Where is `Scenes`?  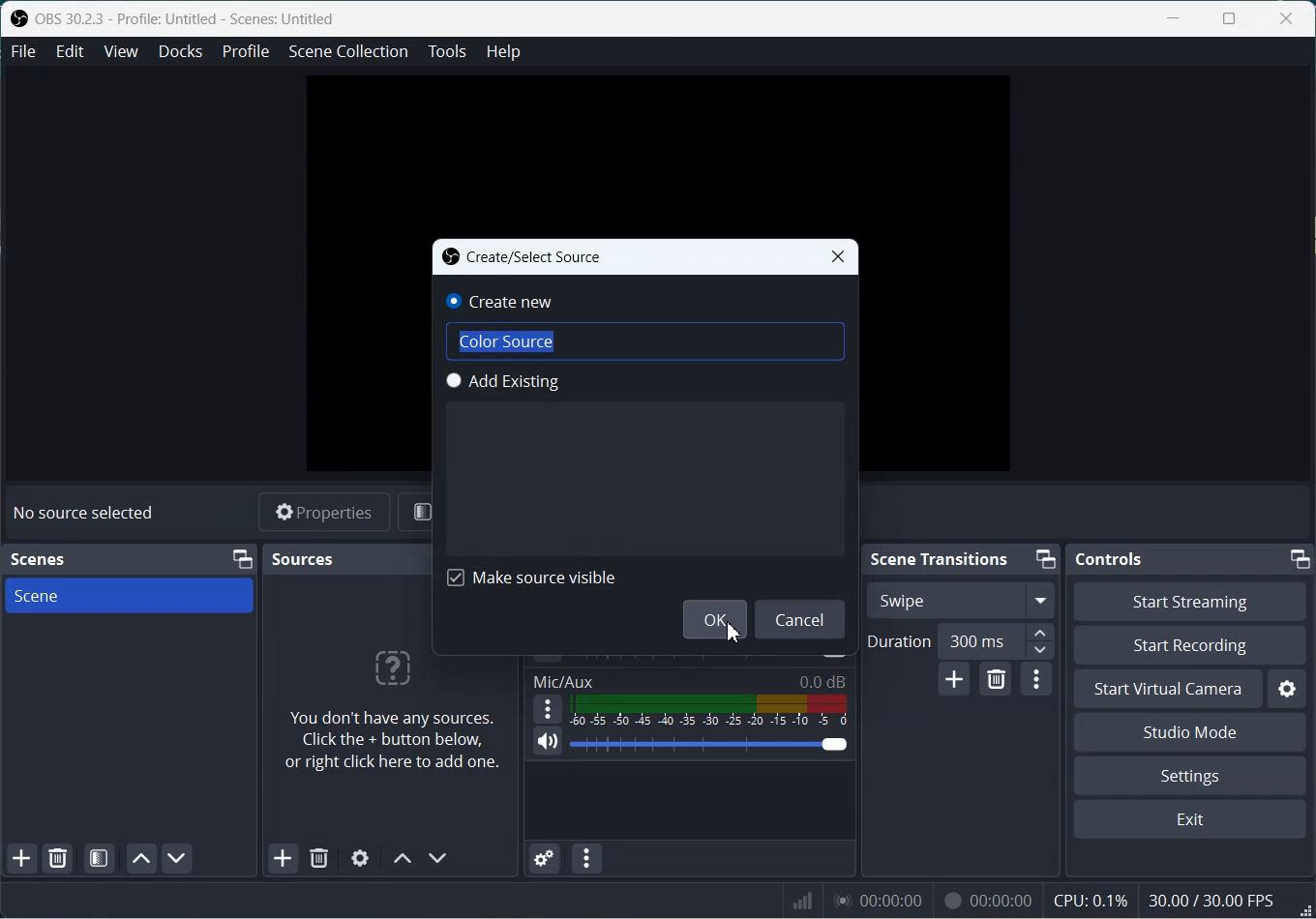
Scenes is located at coordinates (47, 560).